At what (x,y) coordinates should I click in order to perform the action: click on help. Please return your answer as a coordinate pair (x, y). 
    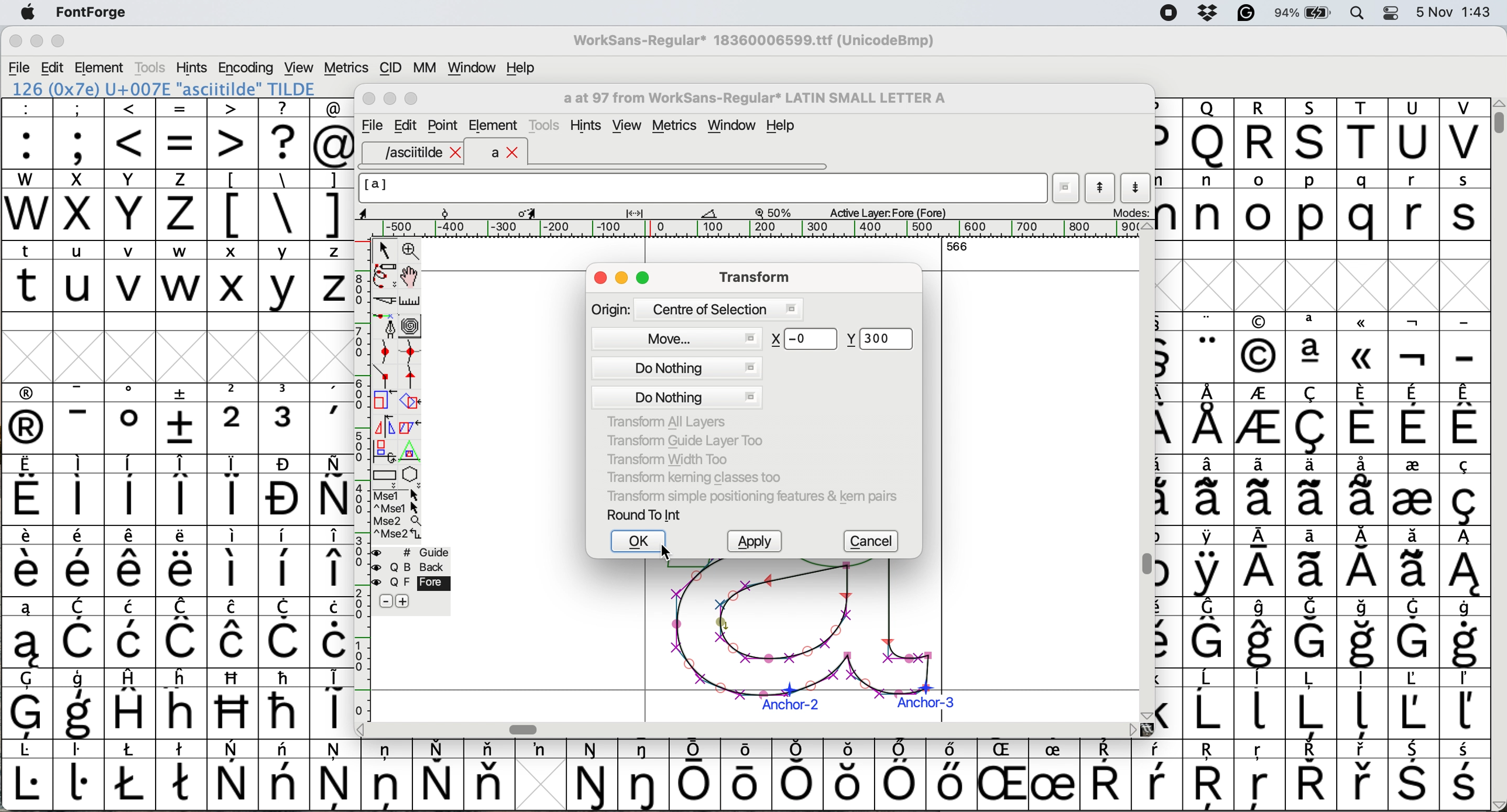
    Looking at the image, I should click on (522, 67).